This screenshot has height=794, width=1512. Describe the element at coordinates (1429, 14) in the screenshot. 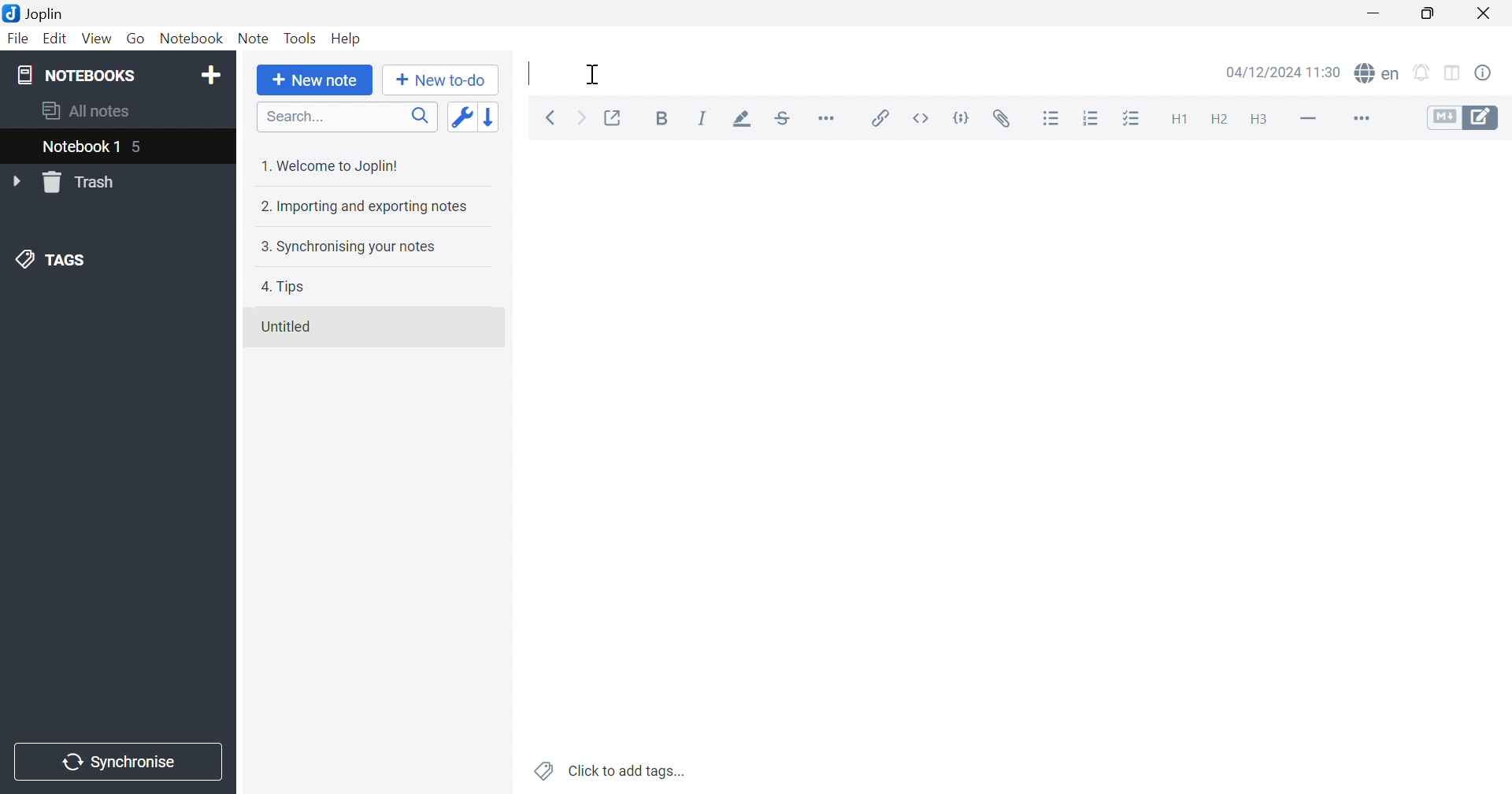

I see `Restore Down` at that location.